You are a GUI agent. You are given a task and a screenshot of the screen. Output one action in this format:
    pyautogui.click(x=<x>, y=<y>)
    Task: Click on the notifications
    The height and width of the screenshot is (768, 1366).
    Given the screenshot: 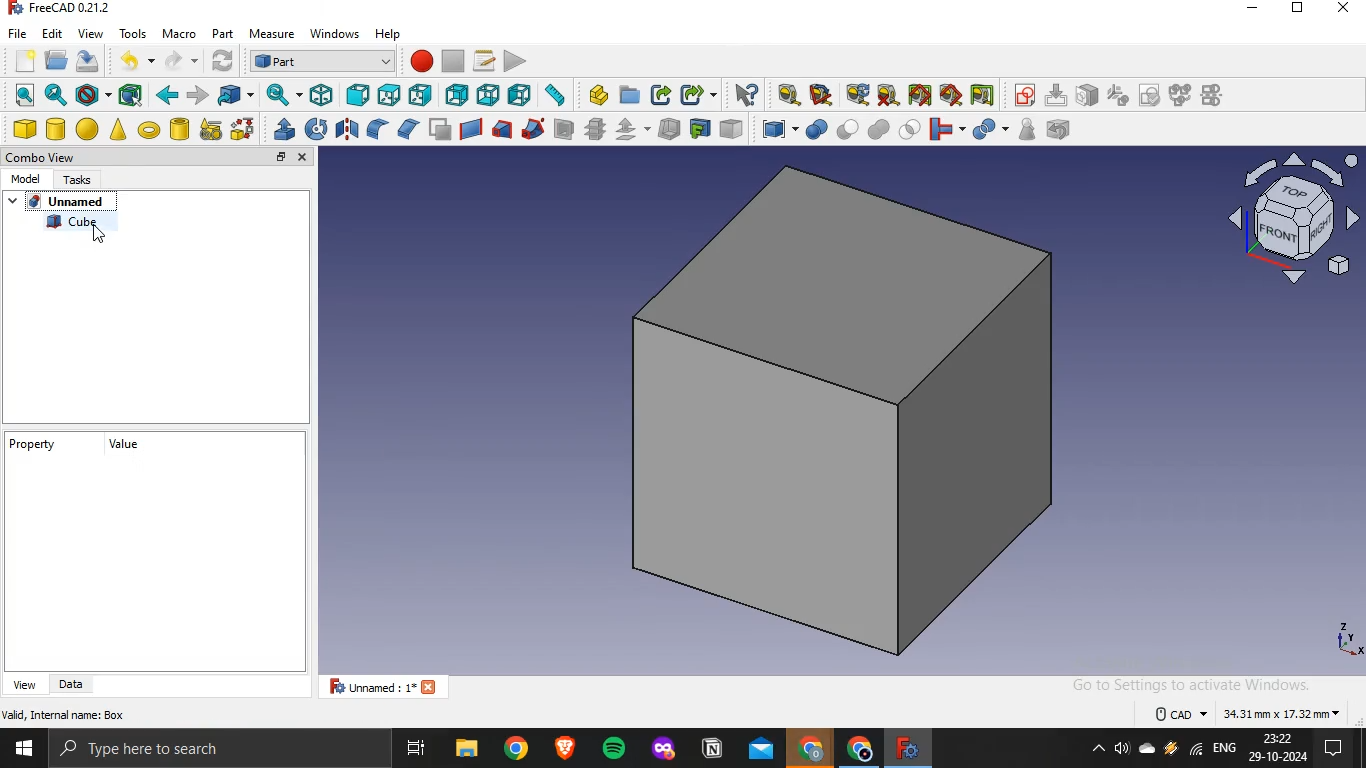 What is the action you would take?
    pyautogui.click(x=1330, y=750)
    